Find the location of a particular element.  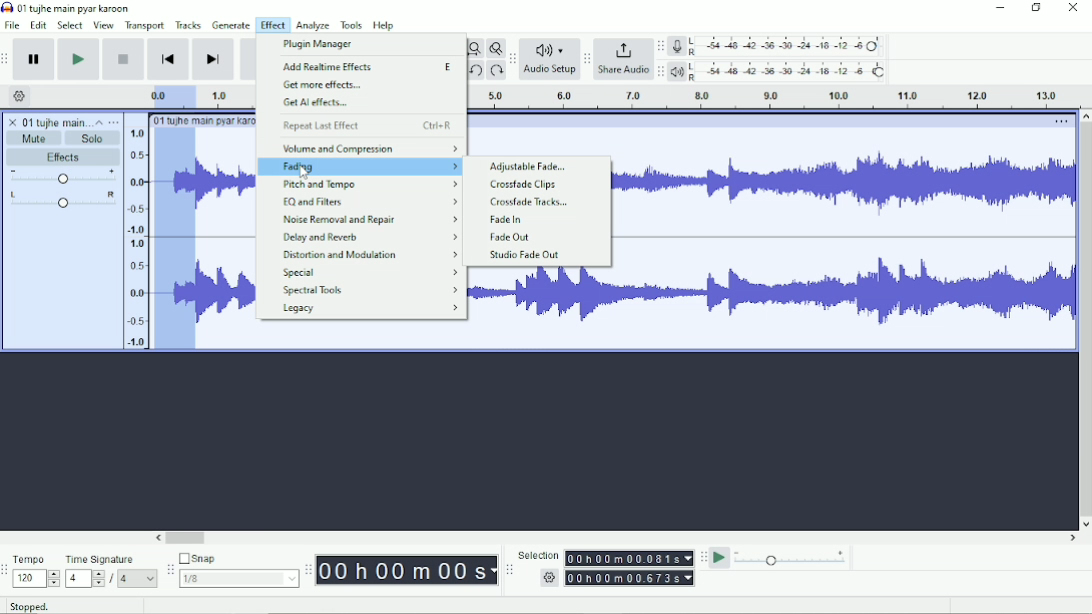

View is located at coordinates (103, 25).